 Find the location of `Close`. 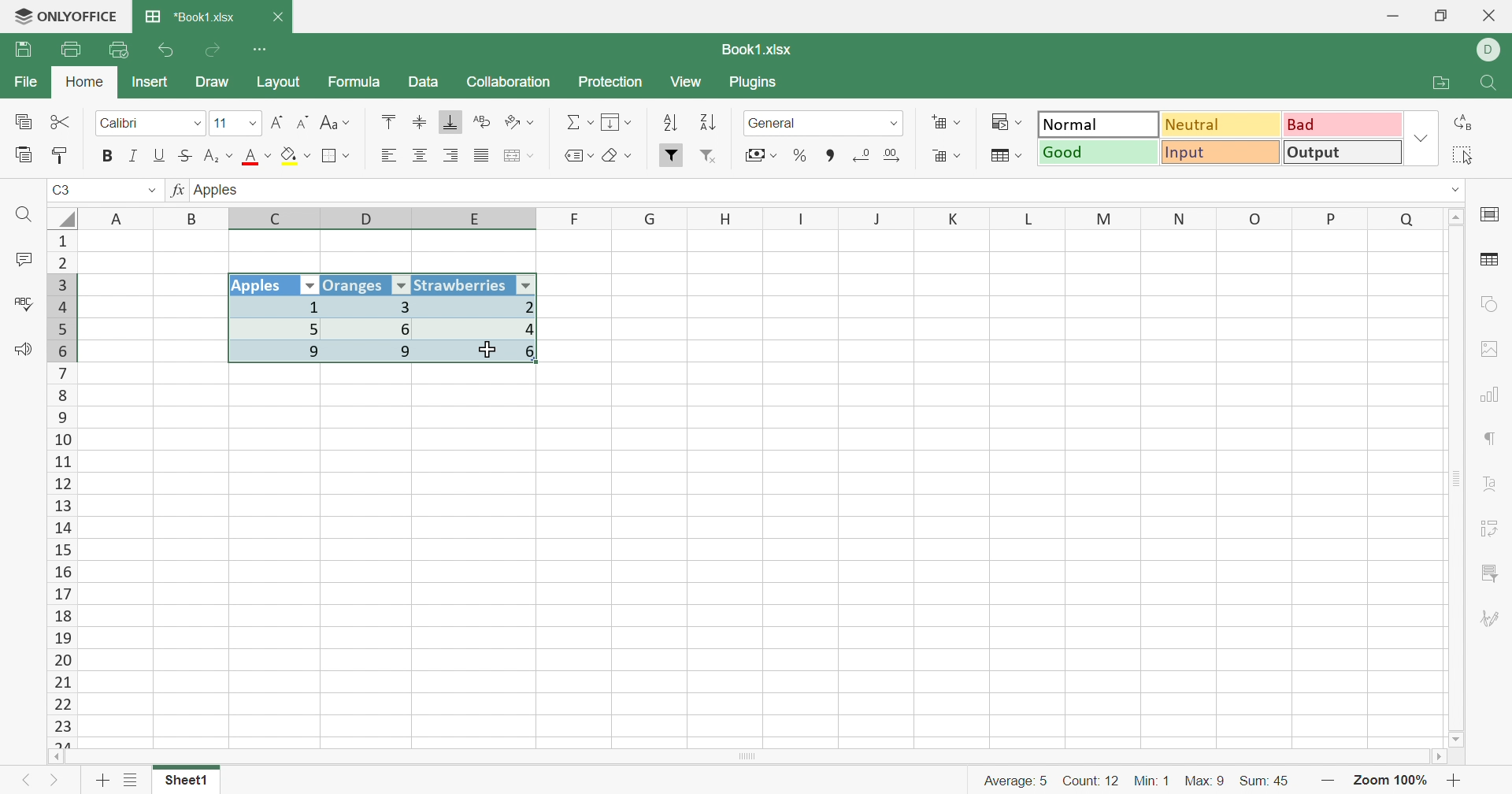

Close is located at coordinates (280, 17).